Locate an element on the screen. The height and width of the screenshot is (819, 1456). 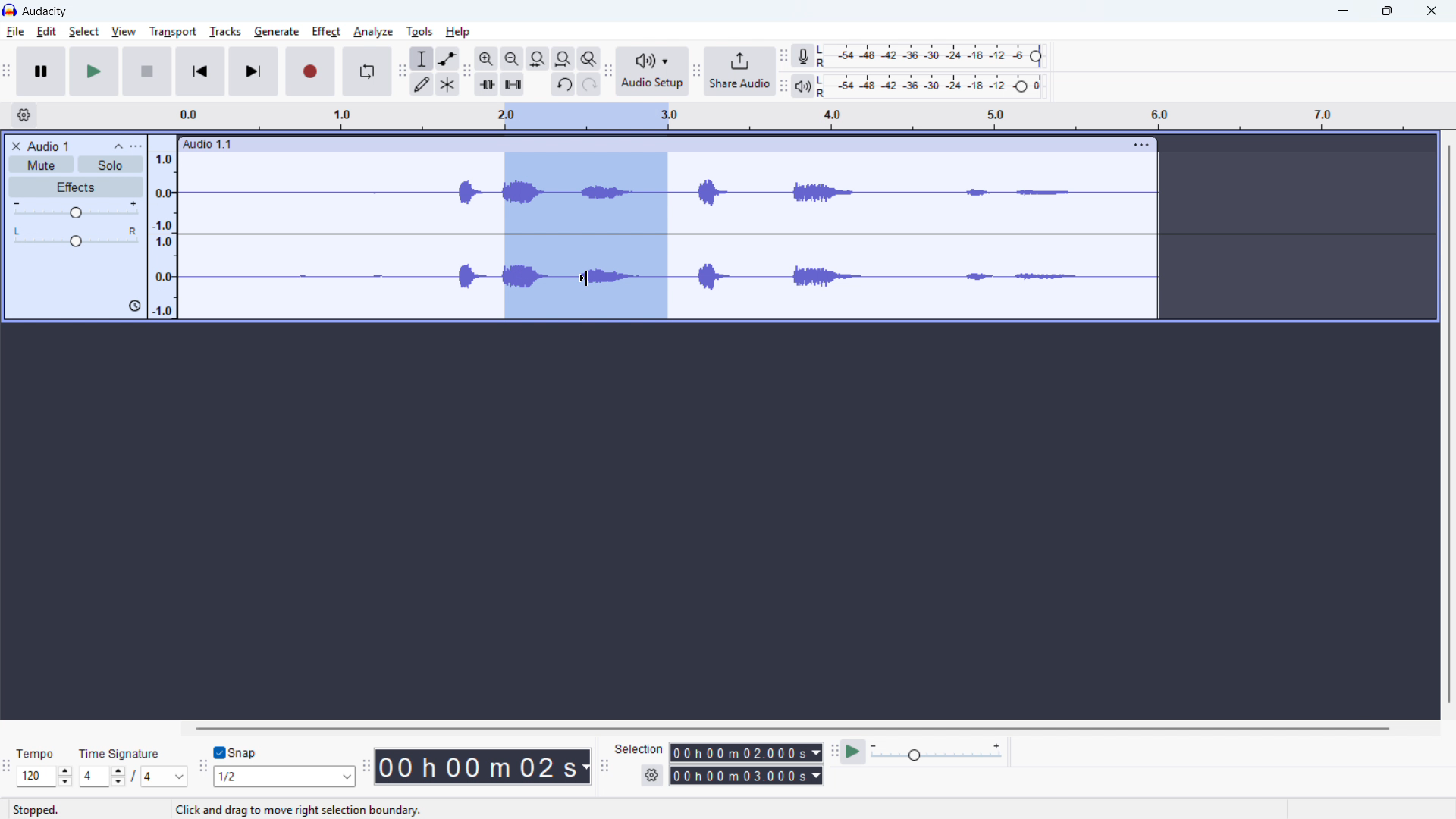
Draw tool is located at coordinates (422, 83).